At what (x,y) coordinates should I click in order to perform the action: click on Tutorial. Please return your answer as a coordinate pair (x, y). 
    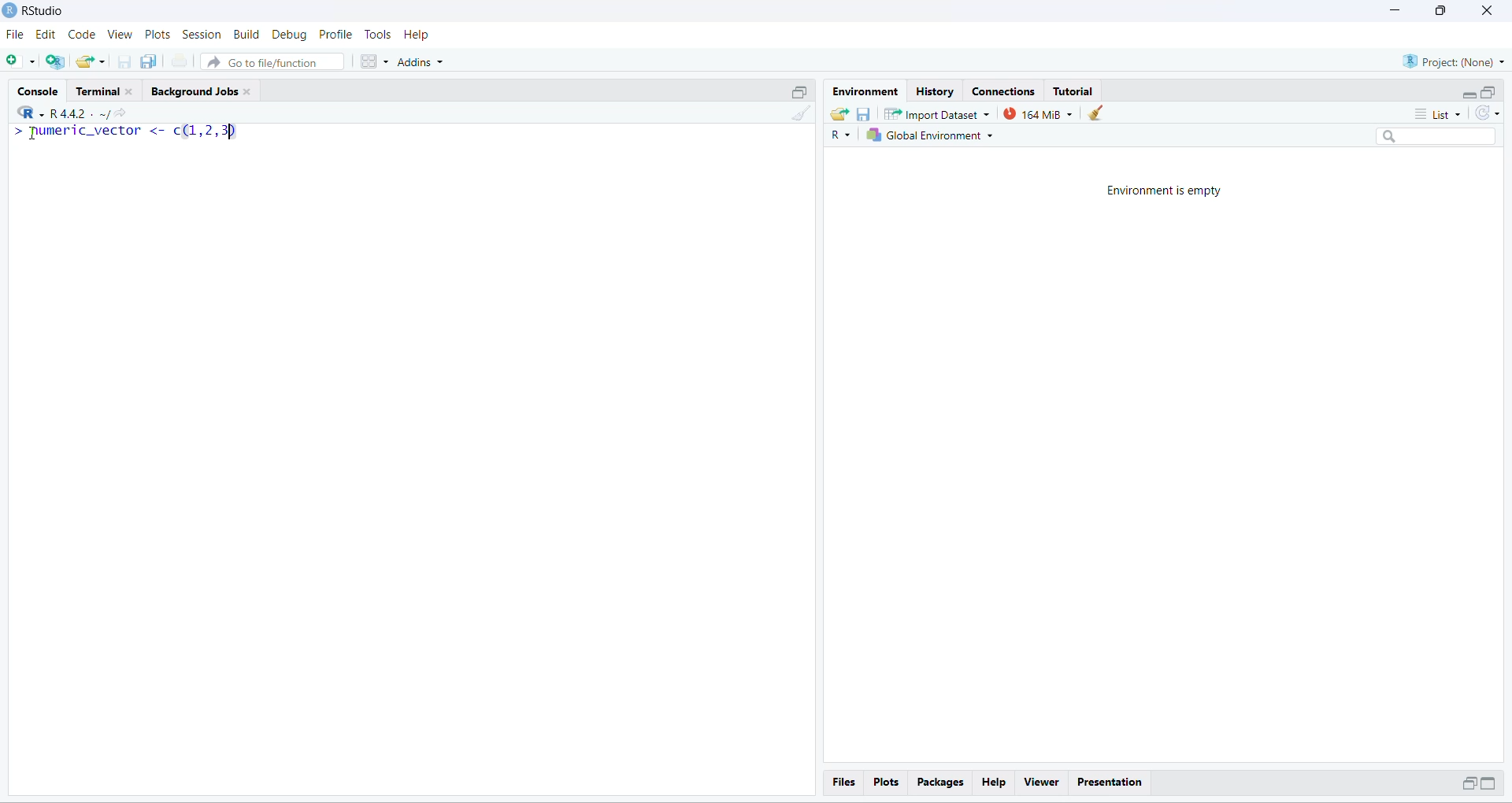
    Looking at the image, I should click on (1073, 91).